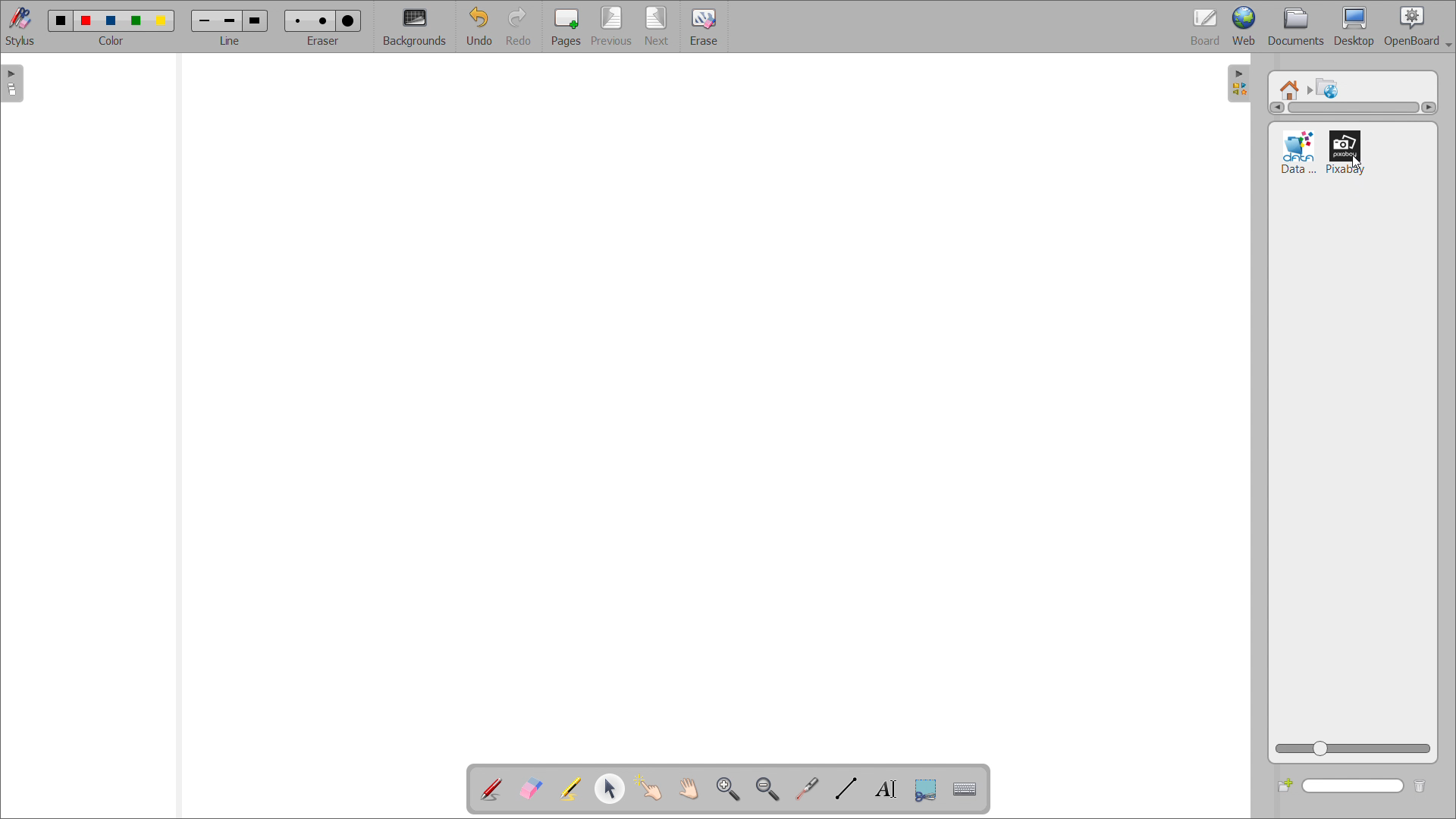  Describe the element at coordinates (570, 789) in the screenshot. I see `highlighter` at that location.